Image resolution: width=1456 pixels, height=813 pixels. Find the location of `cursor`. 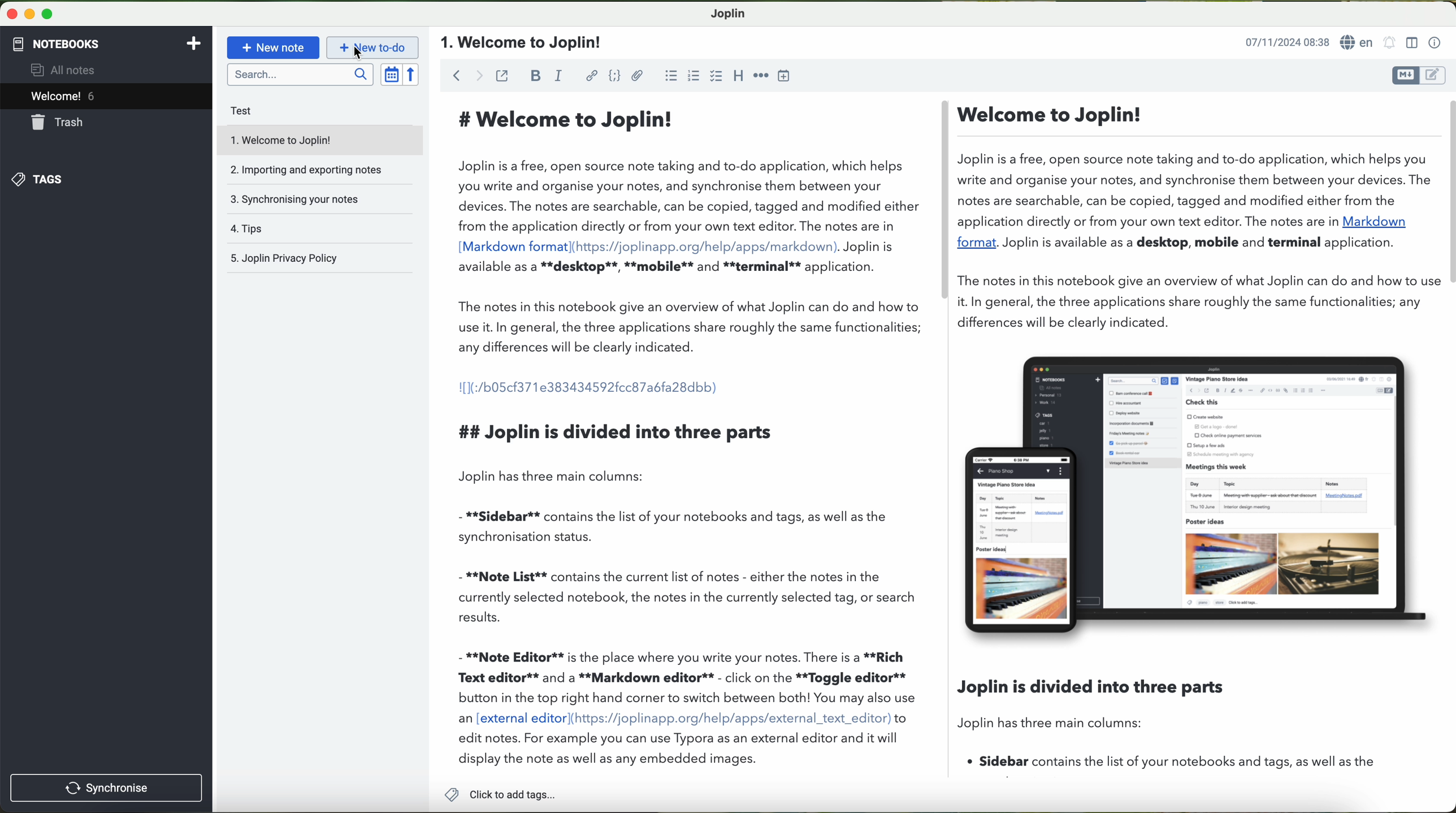

cursor is located at coordinates (363, 58).